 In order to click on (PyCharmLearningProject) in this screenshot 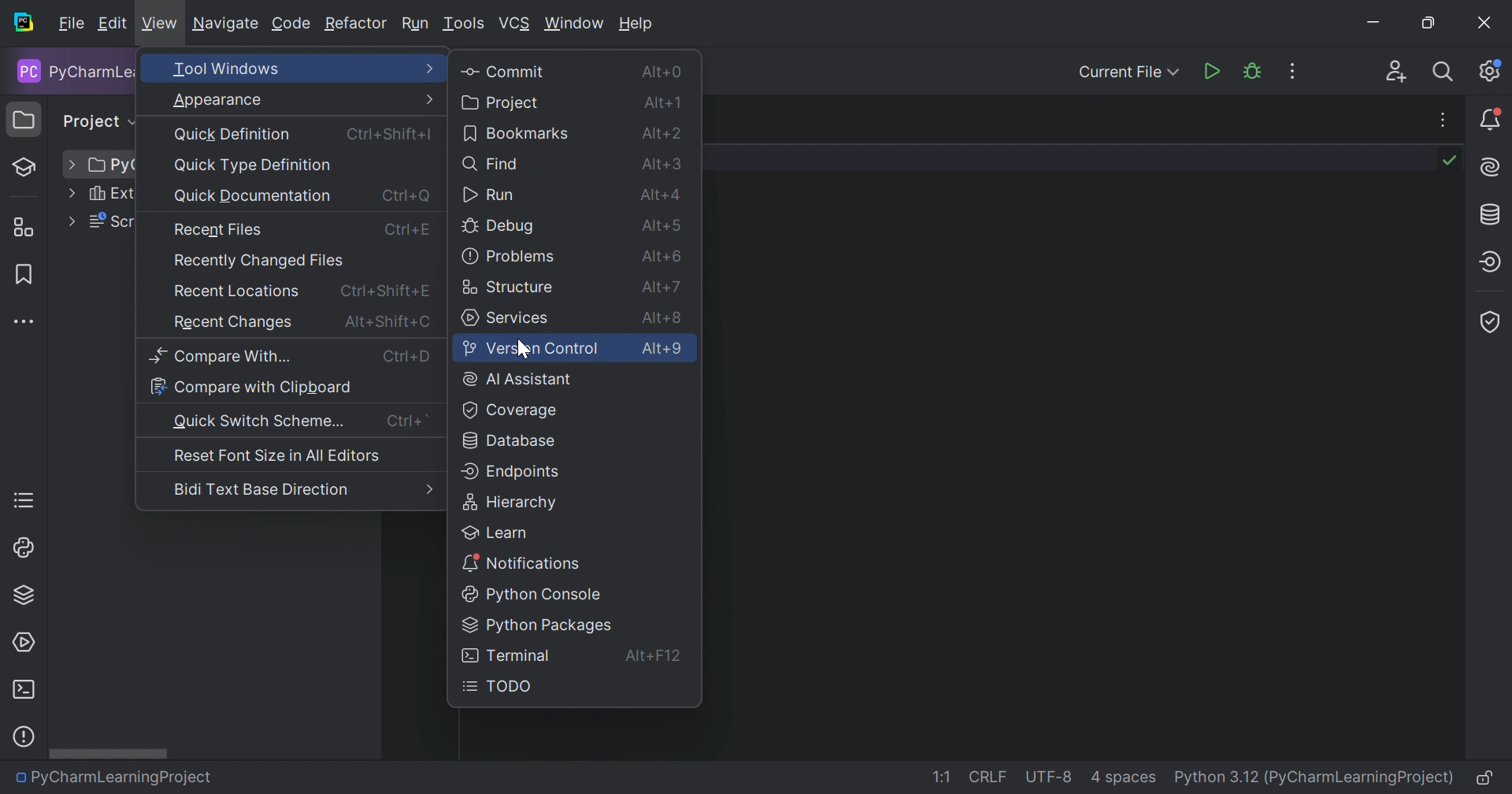, I will do `click(1361, 777)`.